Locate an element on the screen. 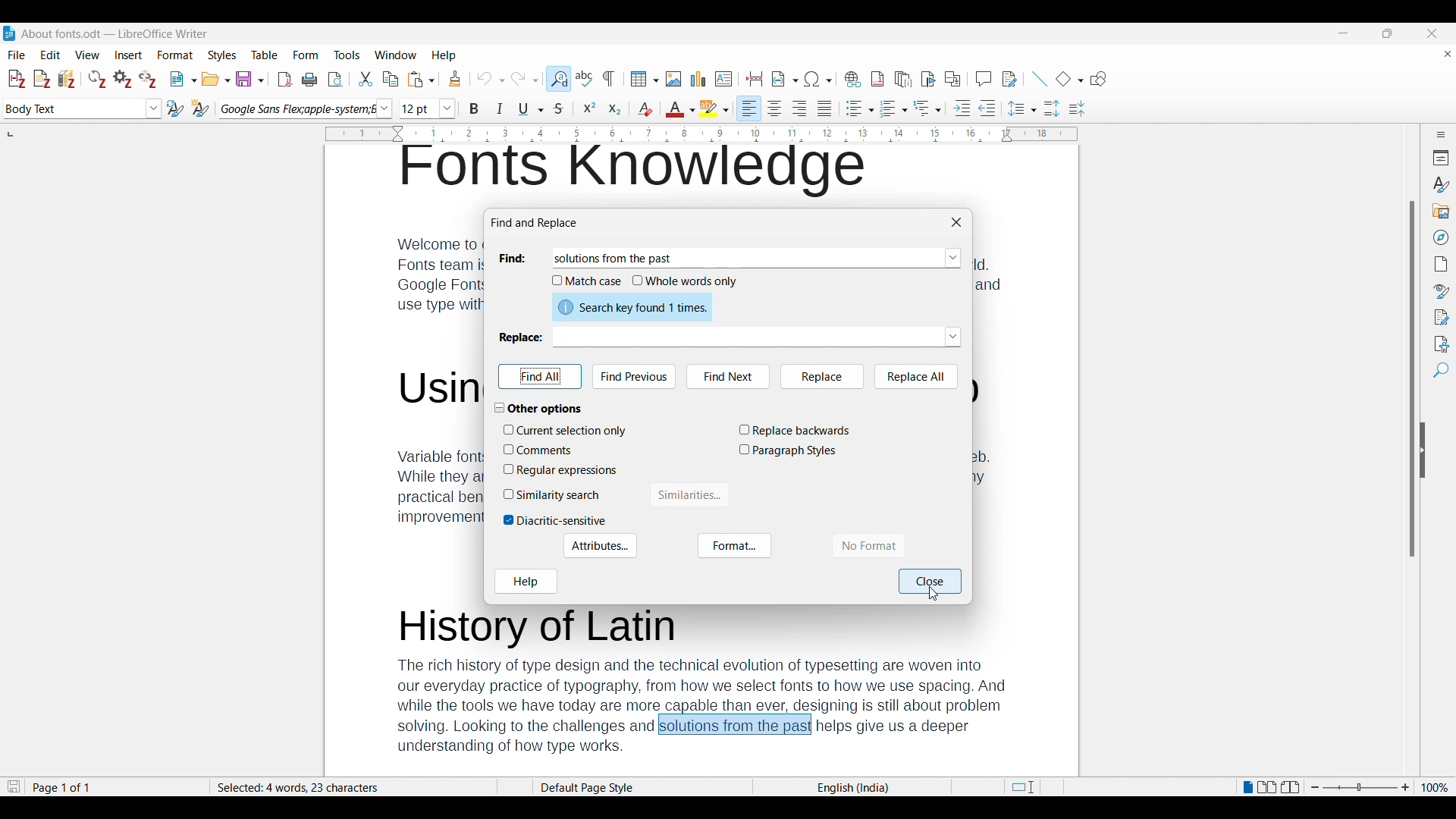 This screenshot has height=819, width=1456. Zoom out is located at coordinates (1315, 787).